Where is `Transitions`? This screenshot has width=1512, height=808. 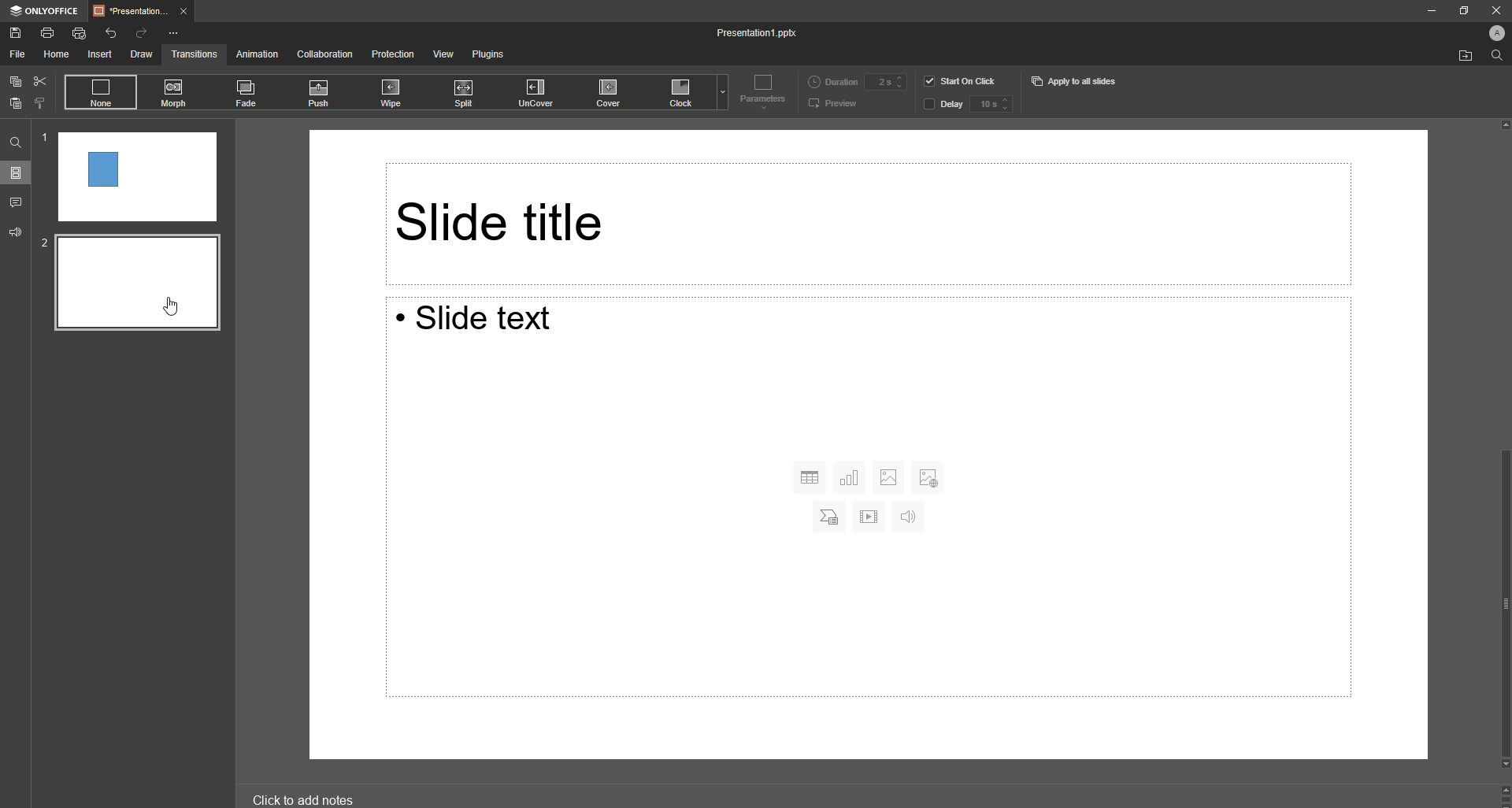 Transitions is located at coordinates (194, 54).